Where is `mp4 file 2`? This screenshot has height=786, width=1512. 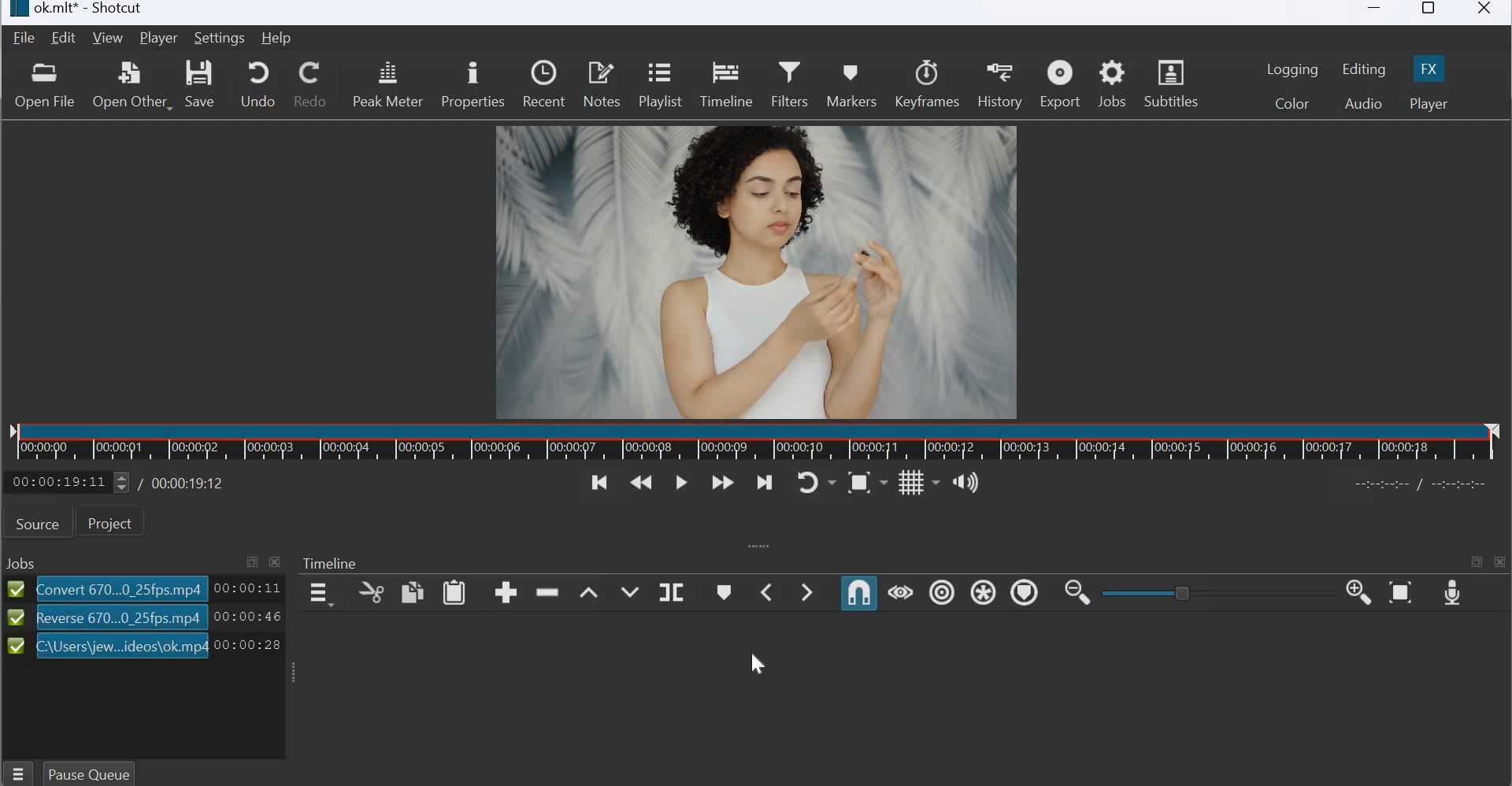 mp4 file 2 is located at coordinates (121, 617).